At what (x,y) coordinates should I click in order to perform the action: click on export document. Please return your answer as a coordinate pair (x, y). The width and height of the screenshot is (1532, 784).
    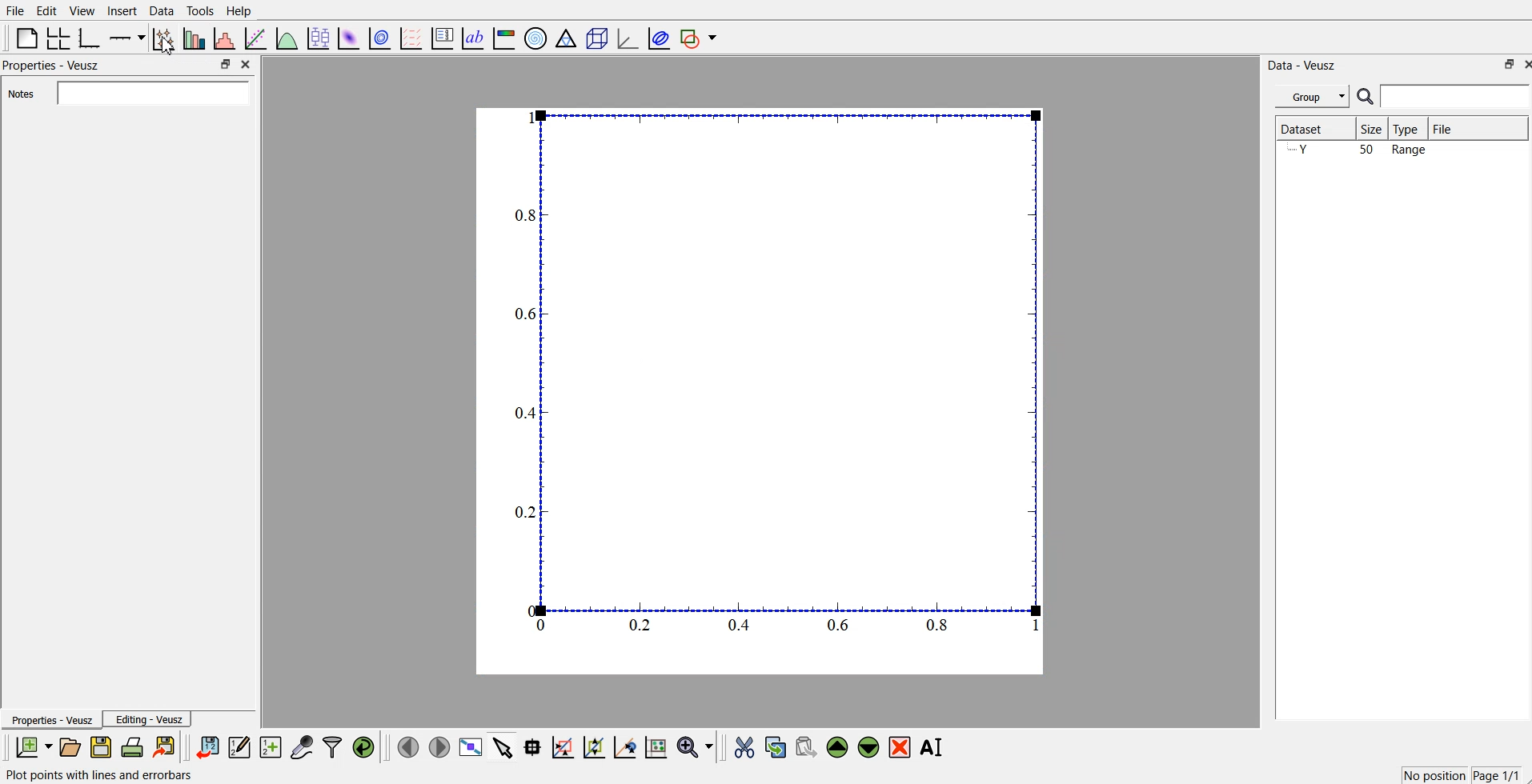
    Looking at the image, I should click on (165, 748).